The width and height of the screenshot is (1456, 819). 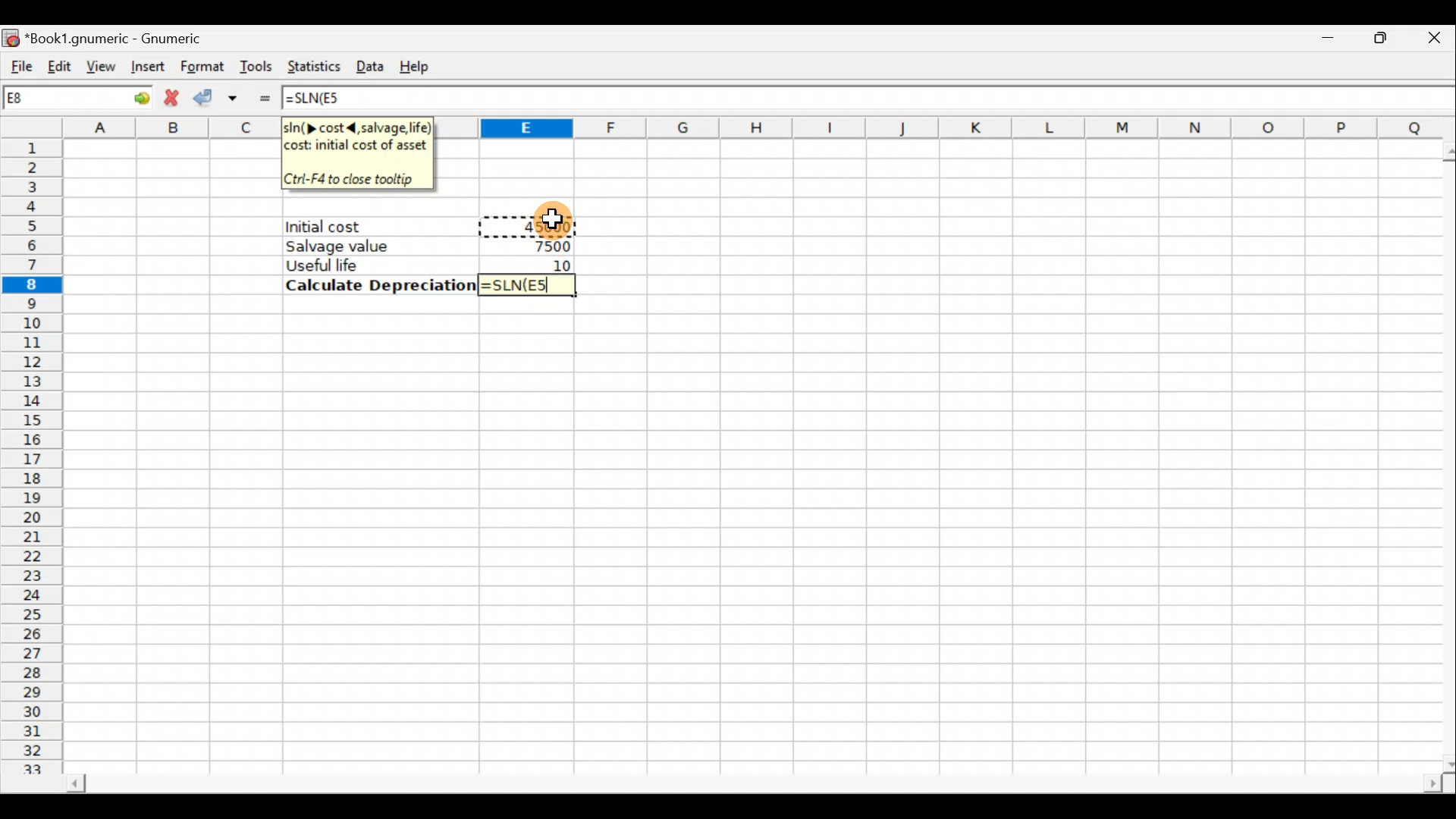 I want to click on Salvage value, so click(x=369, y=246).